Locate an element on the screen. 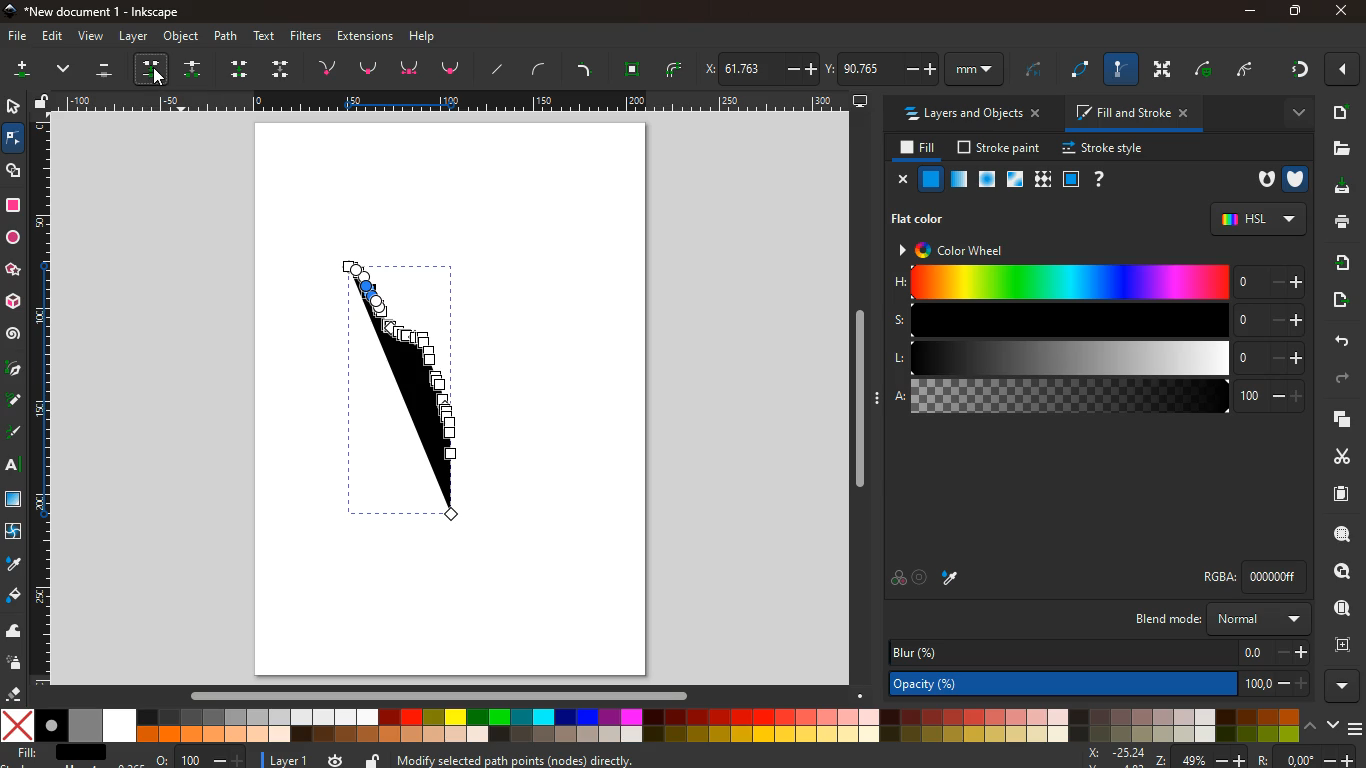  circle is located at coordinates (13, 238).